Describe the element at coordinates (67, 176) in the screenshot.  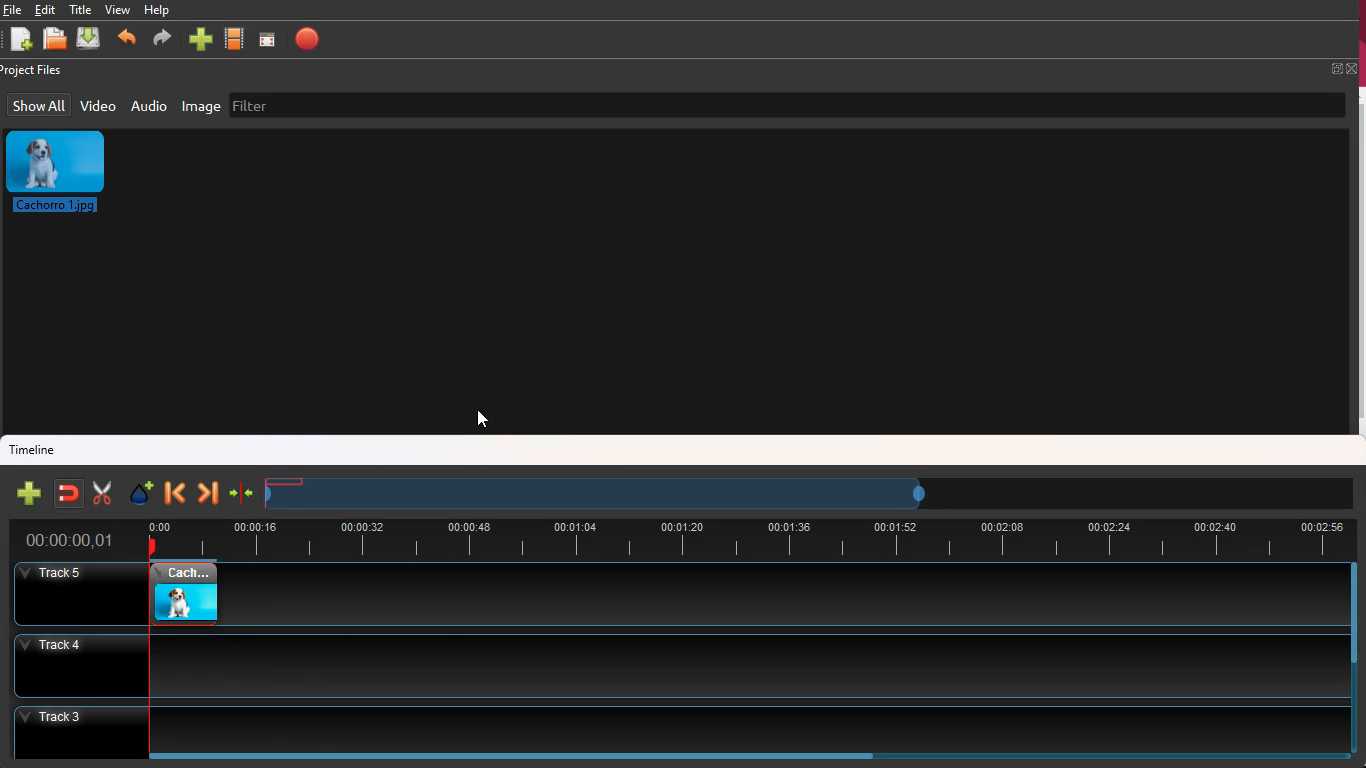
I see `image` at that location.